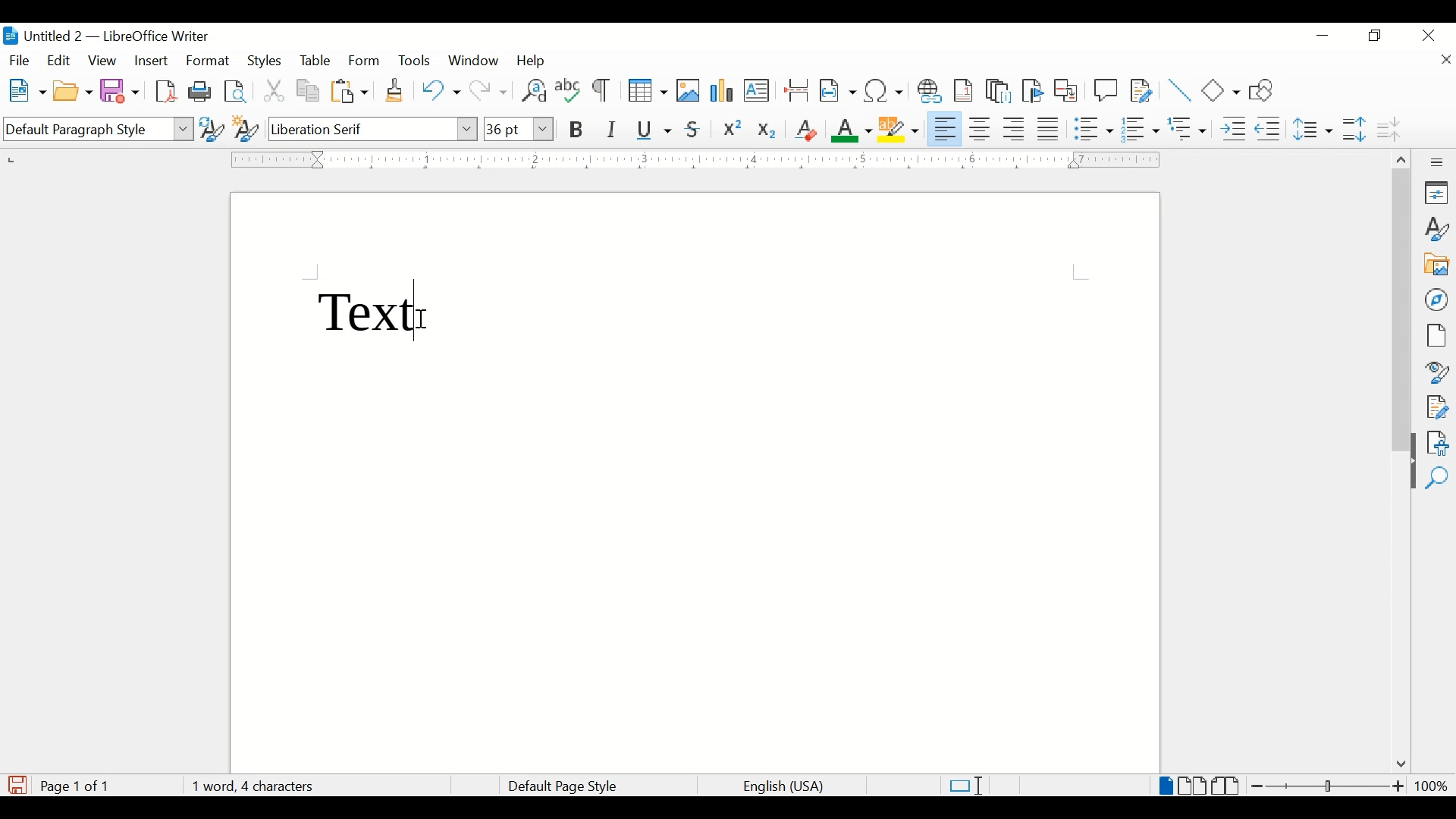  What do you see at coordinates (1188, 129) in the screenshot?
I see `select outline format` at bounding box center [1188, 129].